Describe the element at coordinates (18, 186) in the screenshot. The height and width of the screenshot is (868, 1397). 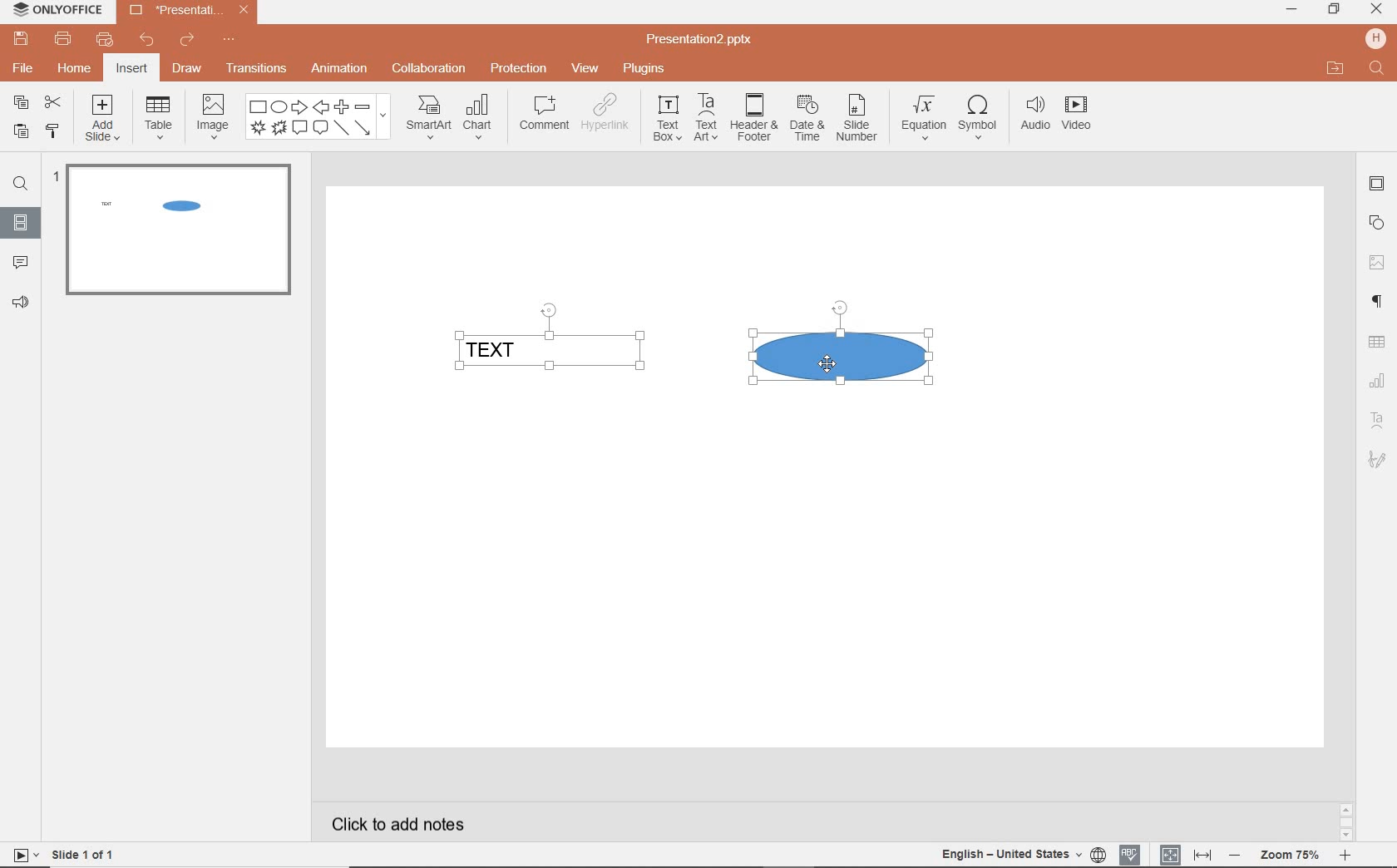
I see `FIND` at that location.